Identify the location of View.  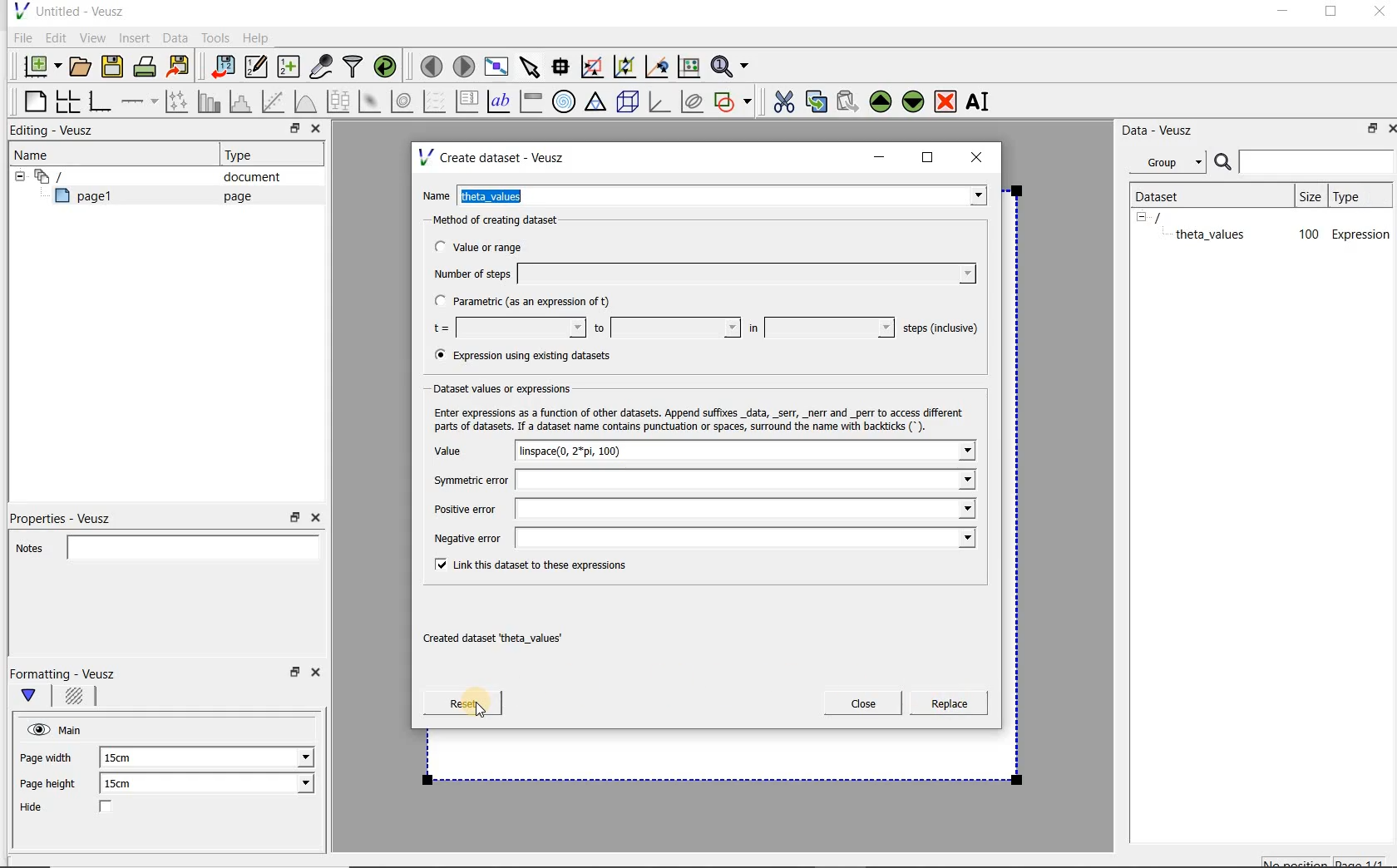
(92, 36).